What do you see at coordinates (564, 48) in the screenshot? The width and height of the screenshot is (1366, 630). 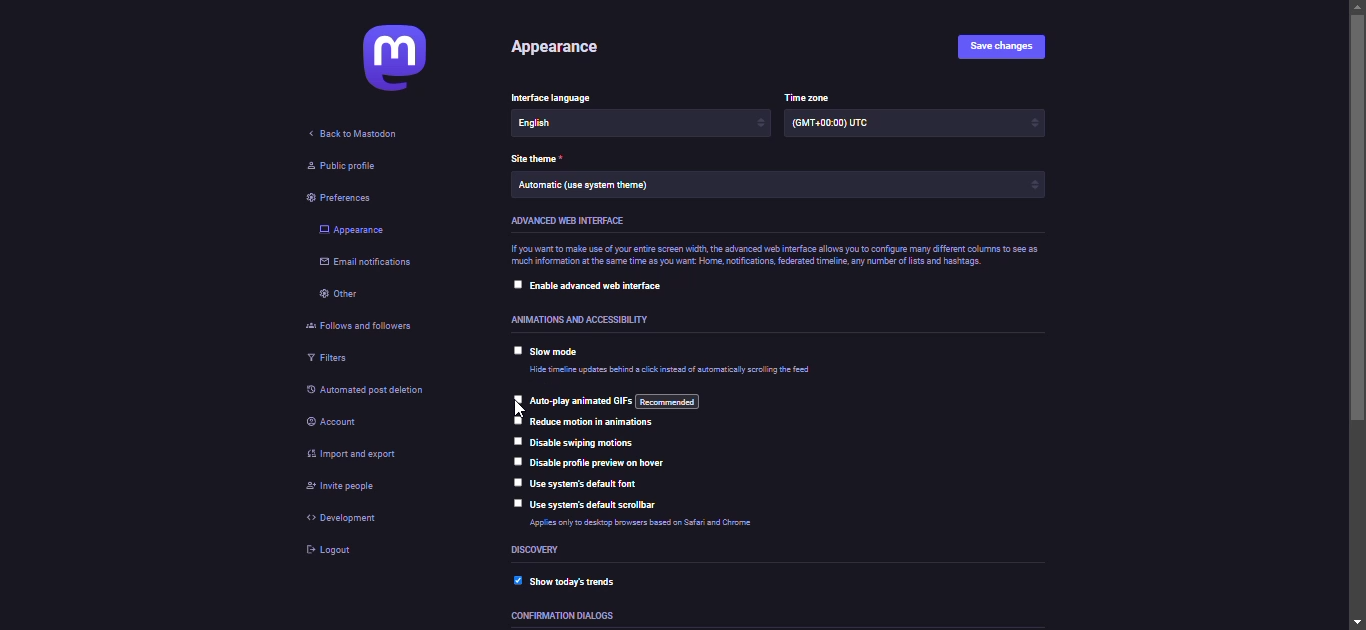 I see `appearance` at bounding box center [564, 48].